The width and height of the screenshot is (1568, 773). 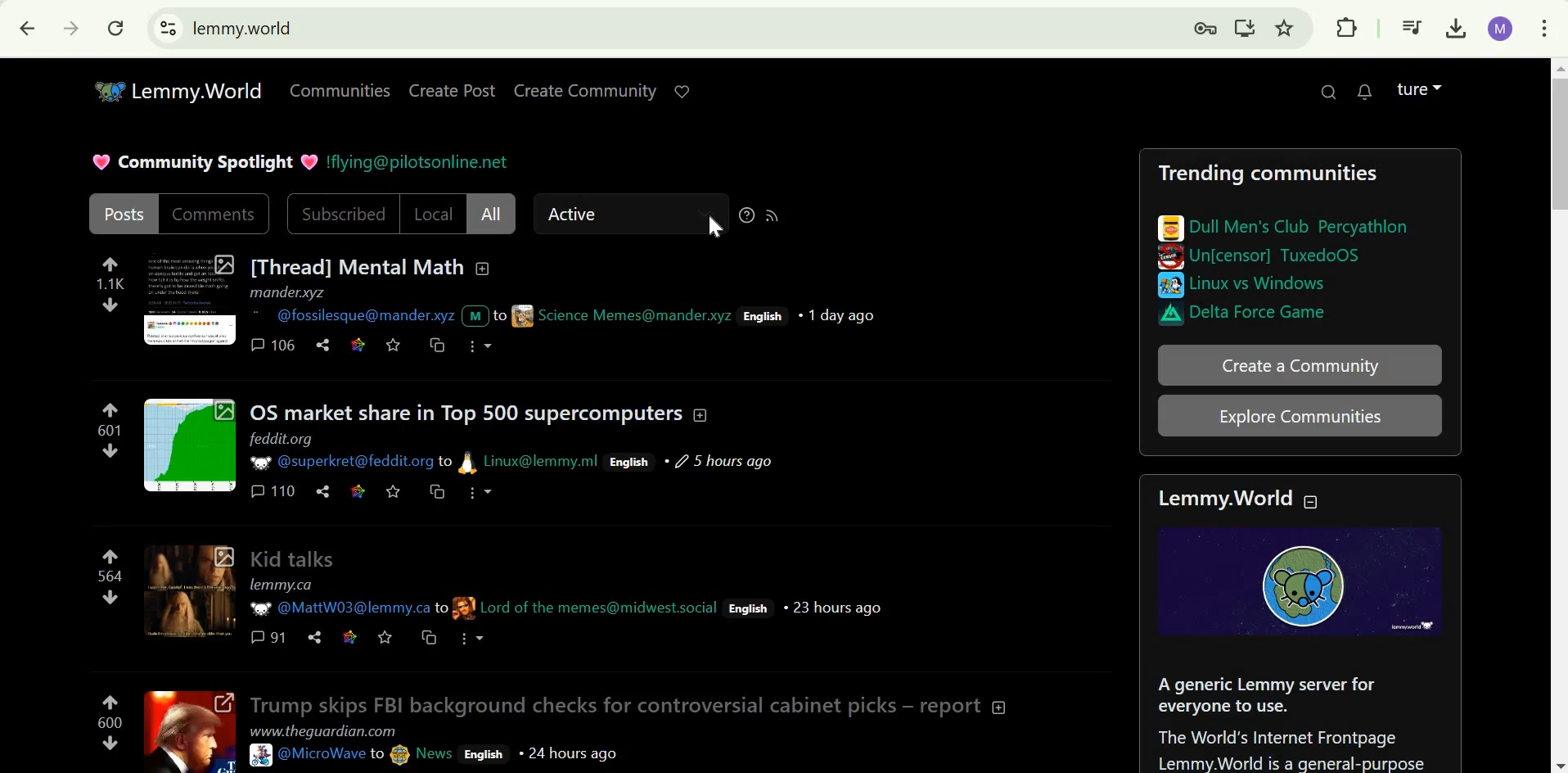 I want to click on Link, so click(x=356, y=346).